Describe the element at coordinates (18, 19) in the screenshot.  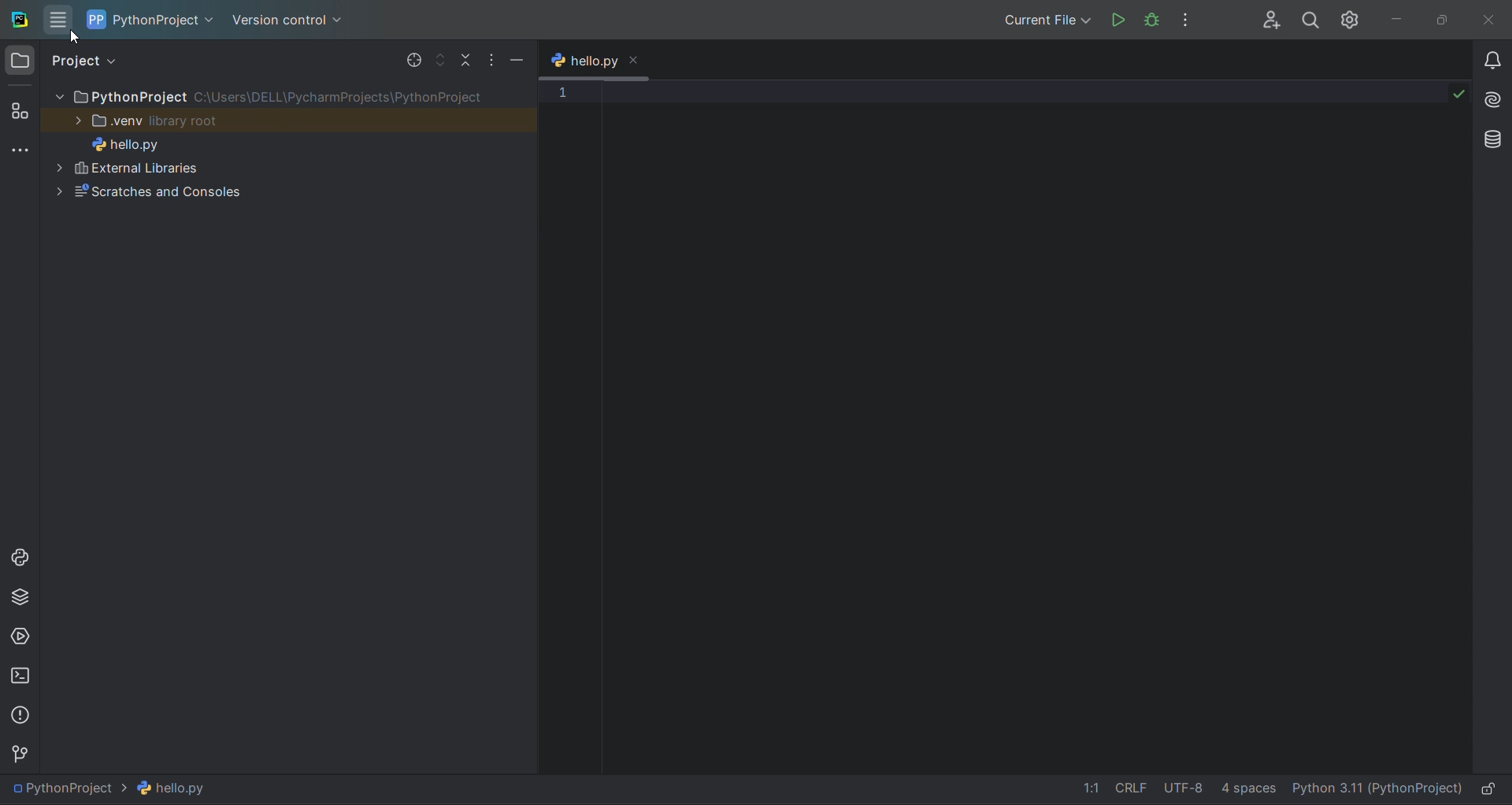
I see `logo` at that location.